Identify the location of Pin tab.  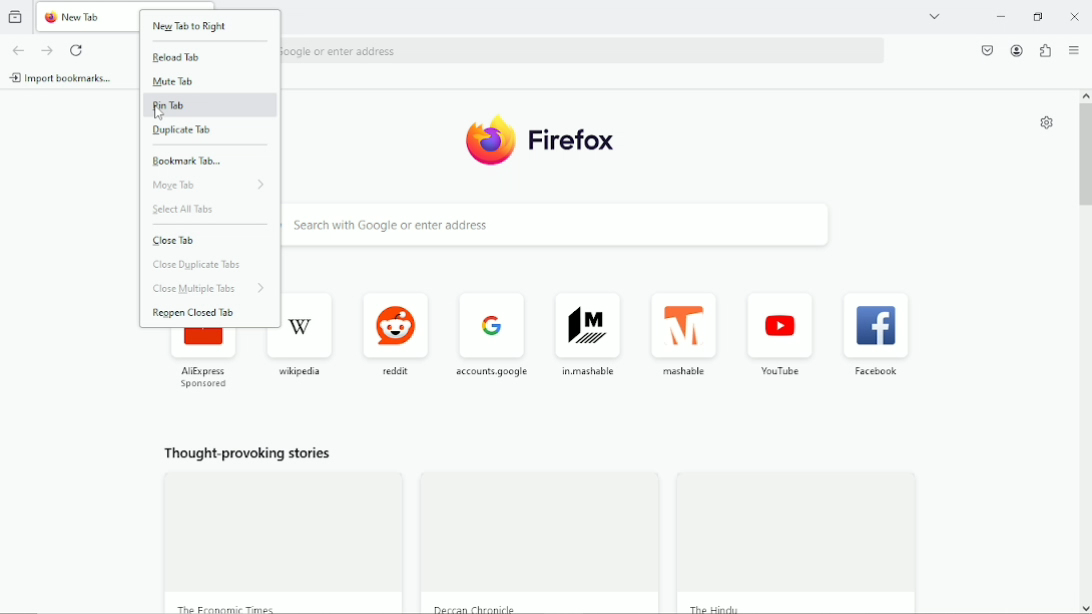
(174, 105).